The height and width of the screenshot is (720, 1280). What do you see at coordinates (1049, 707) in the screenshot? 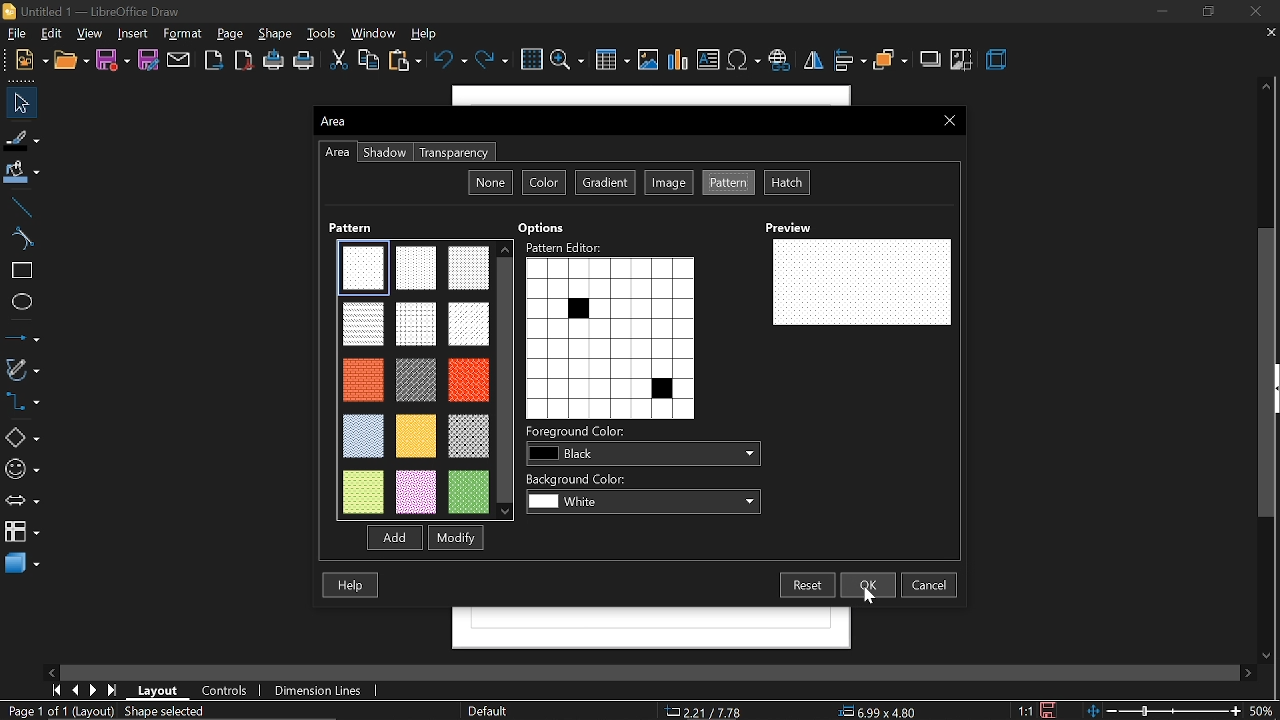
I see `save` at bounding box center [1049, 707].